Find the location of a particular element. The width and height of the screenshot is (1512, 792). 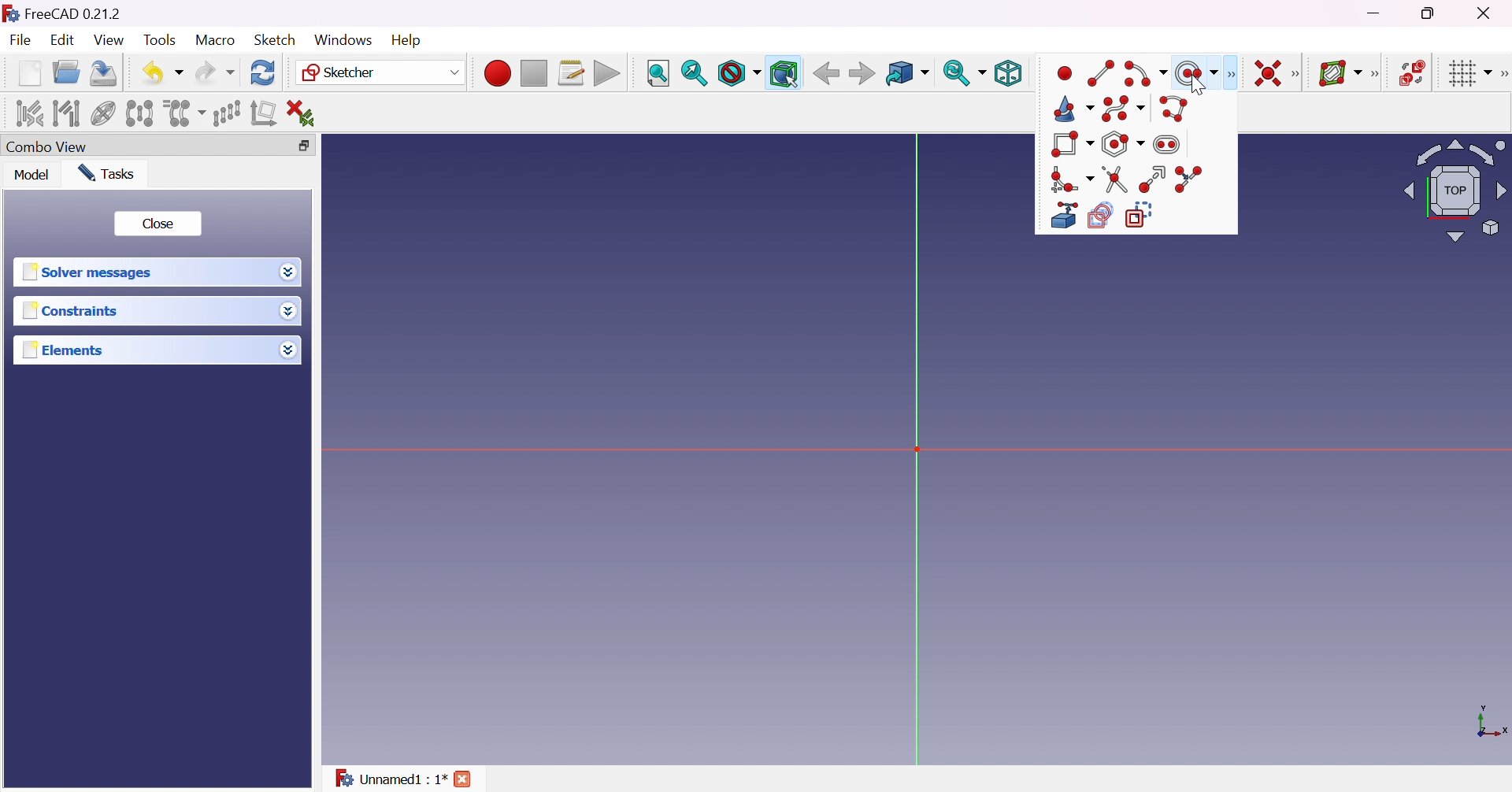

Remove axes alignment is located at coordinates (264, 114).